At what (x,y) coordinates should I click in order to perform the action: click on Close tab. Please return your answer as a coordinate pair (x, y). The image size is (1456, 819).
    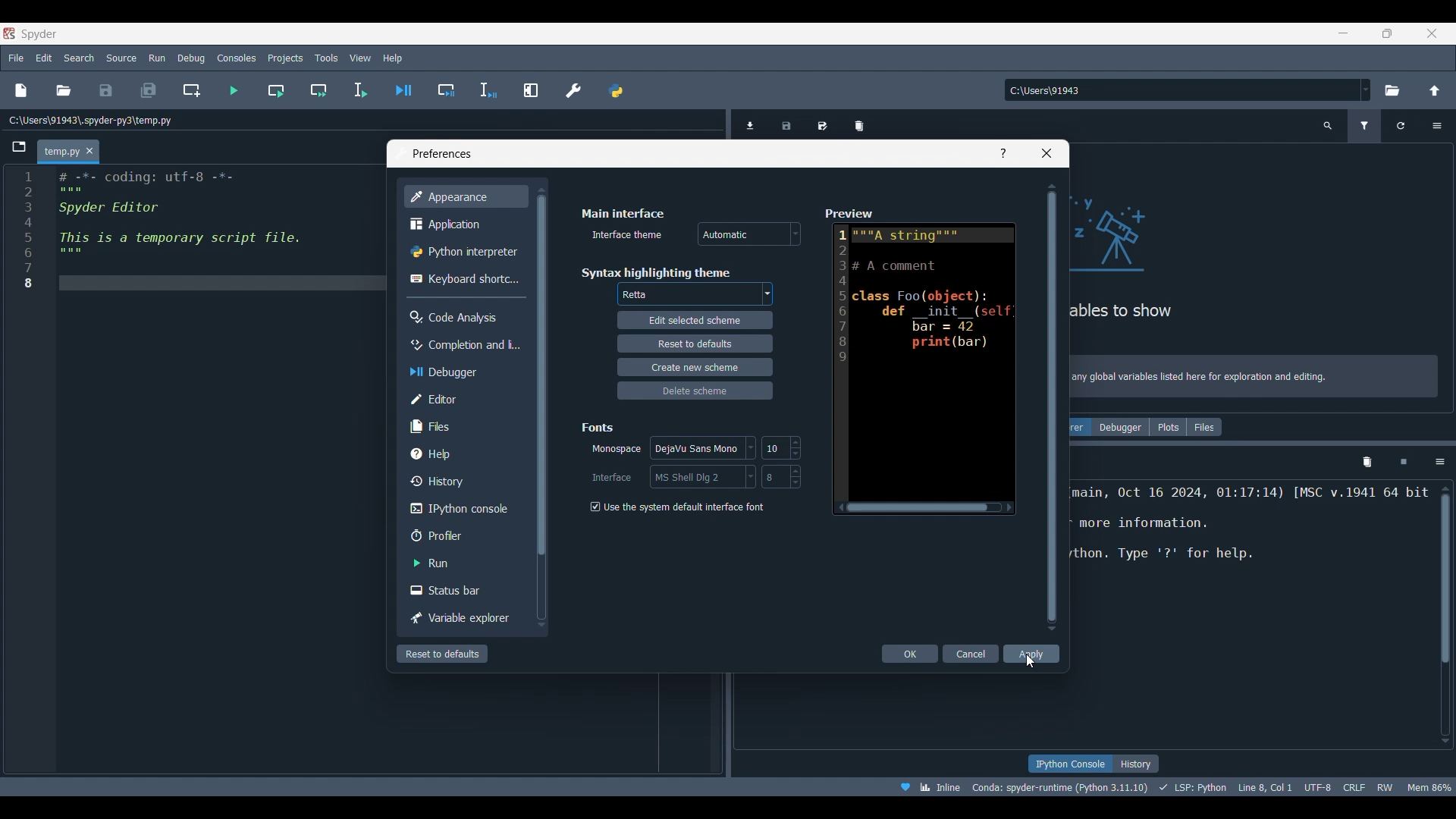
    Looking at the image, I should click on (89, 152).